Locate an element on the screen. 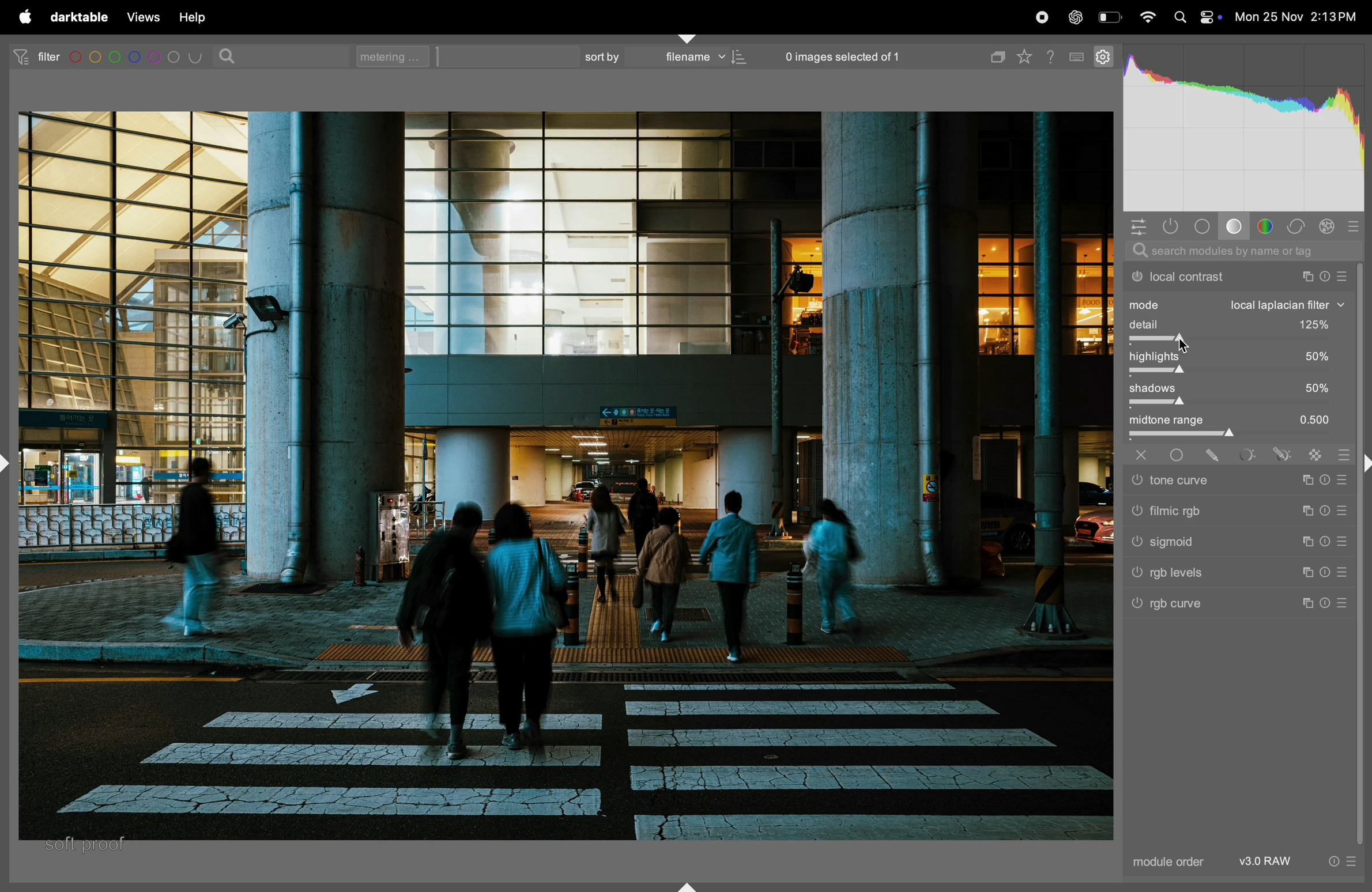 Image resolution: width=1372 pixels, height=892 pixels. rgb curve is located at coordinates (1231, 606).